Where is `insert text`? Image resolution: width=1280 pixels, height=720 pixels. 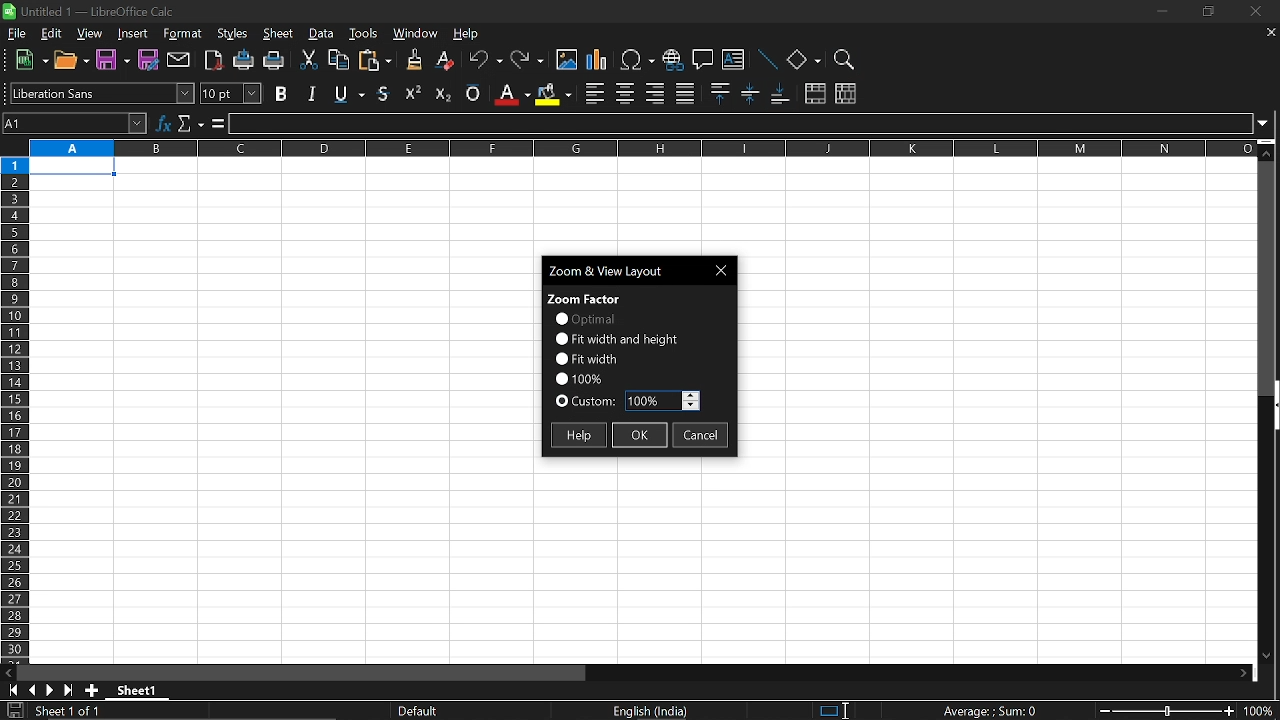
insert text is located at coordinates (733, 62).